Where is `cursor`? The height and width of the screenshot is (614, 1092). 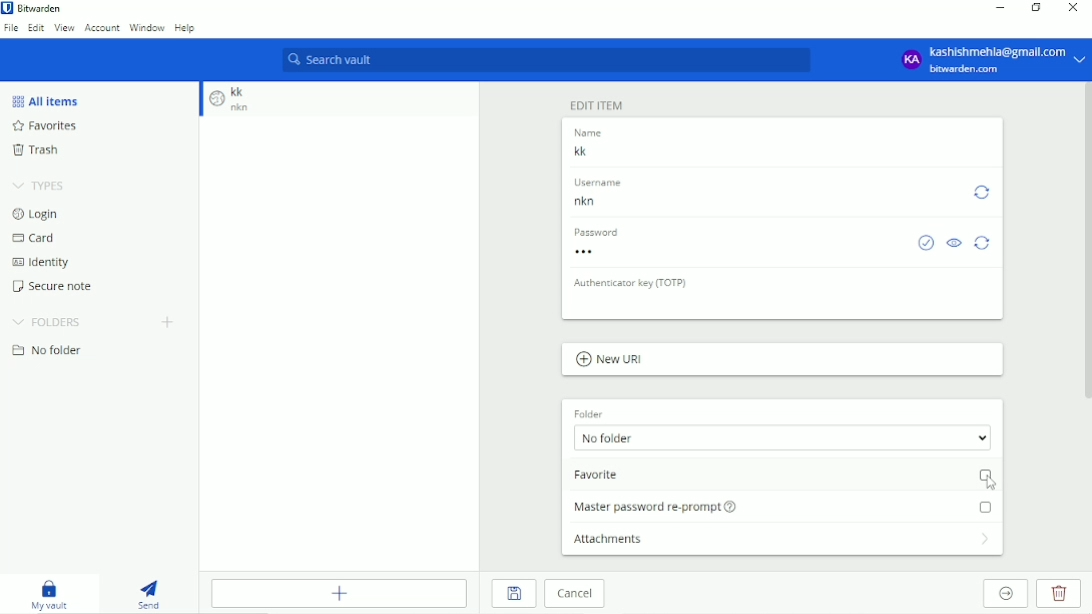 cursor is located at coordinates (991, 480).